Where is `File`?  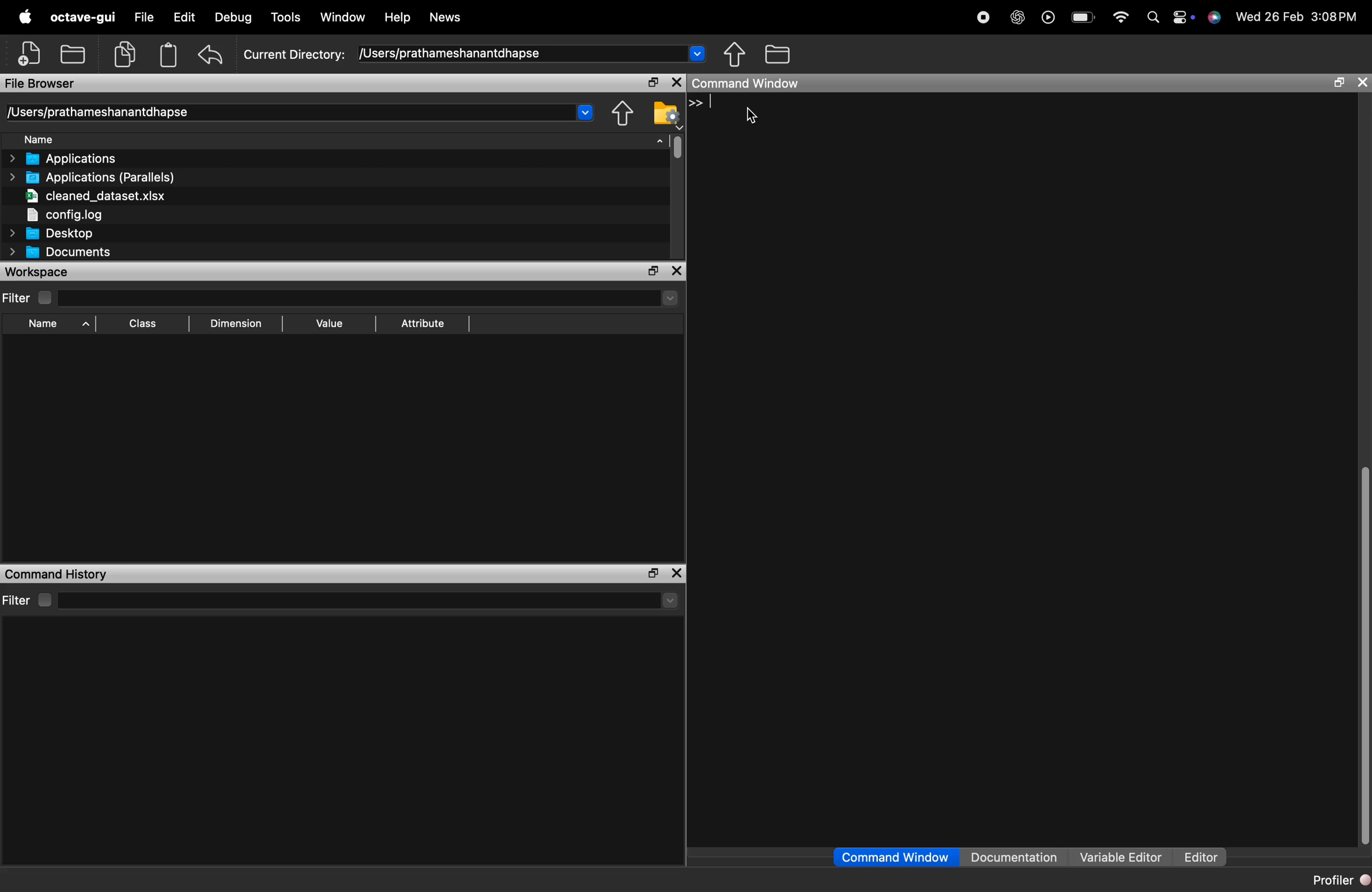
File is located at coordinates (142, 17).